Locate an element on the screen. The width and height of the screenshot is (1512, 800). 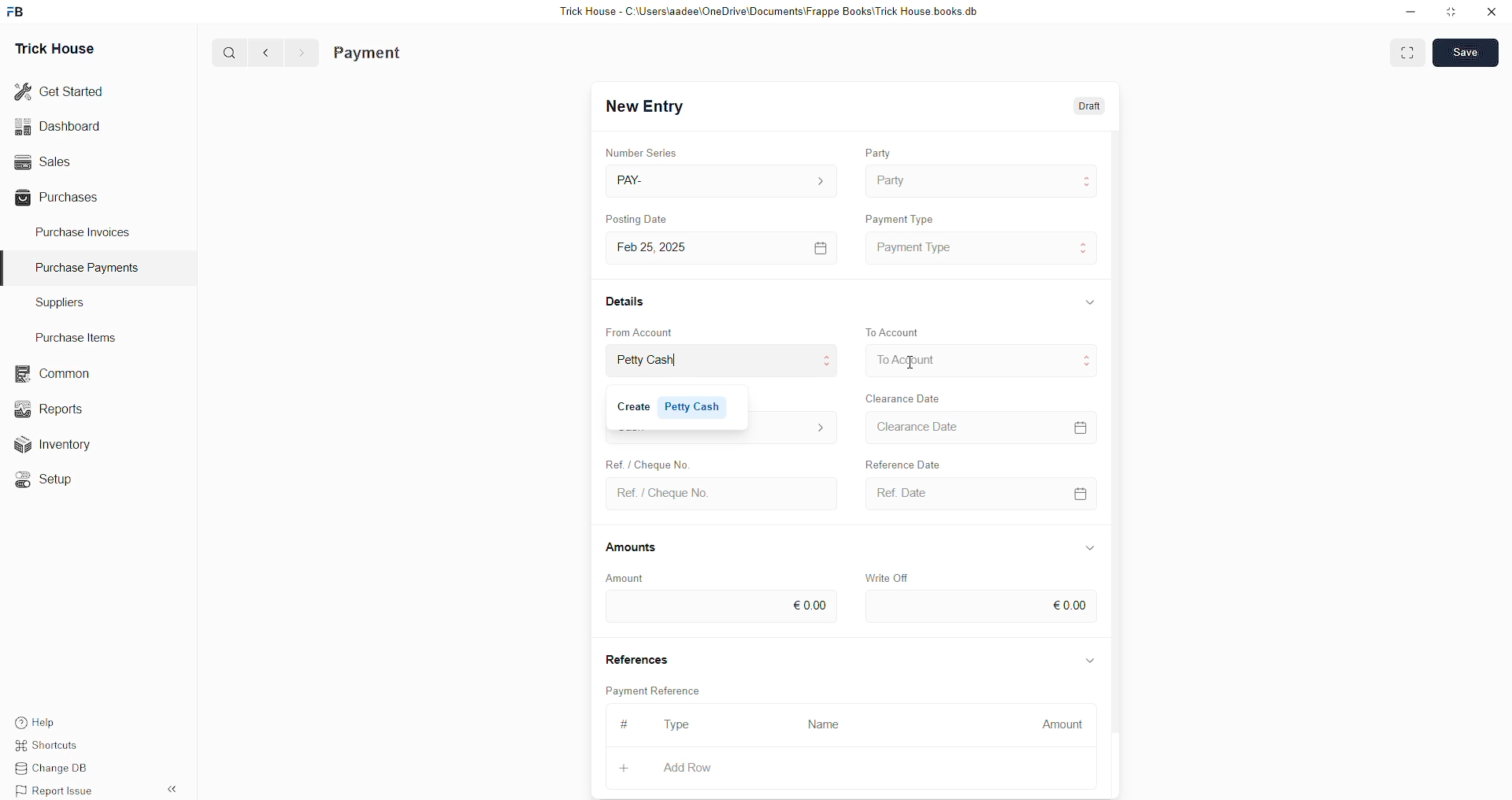
Purchase Items is located at coordinates (80, 335).